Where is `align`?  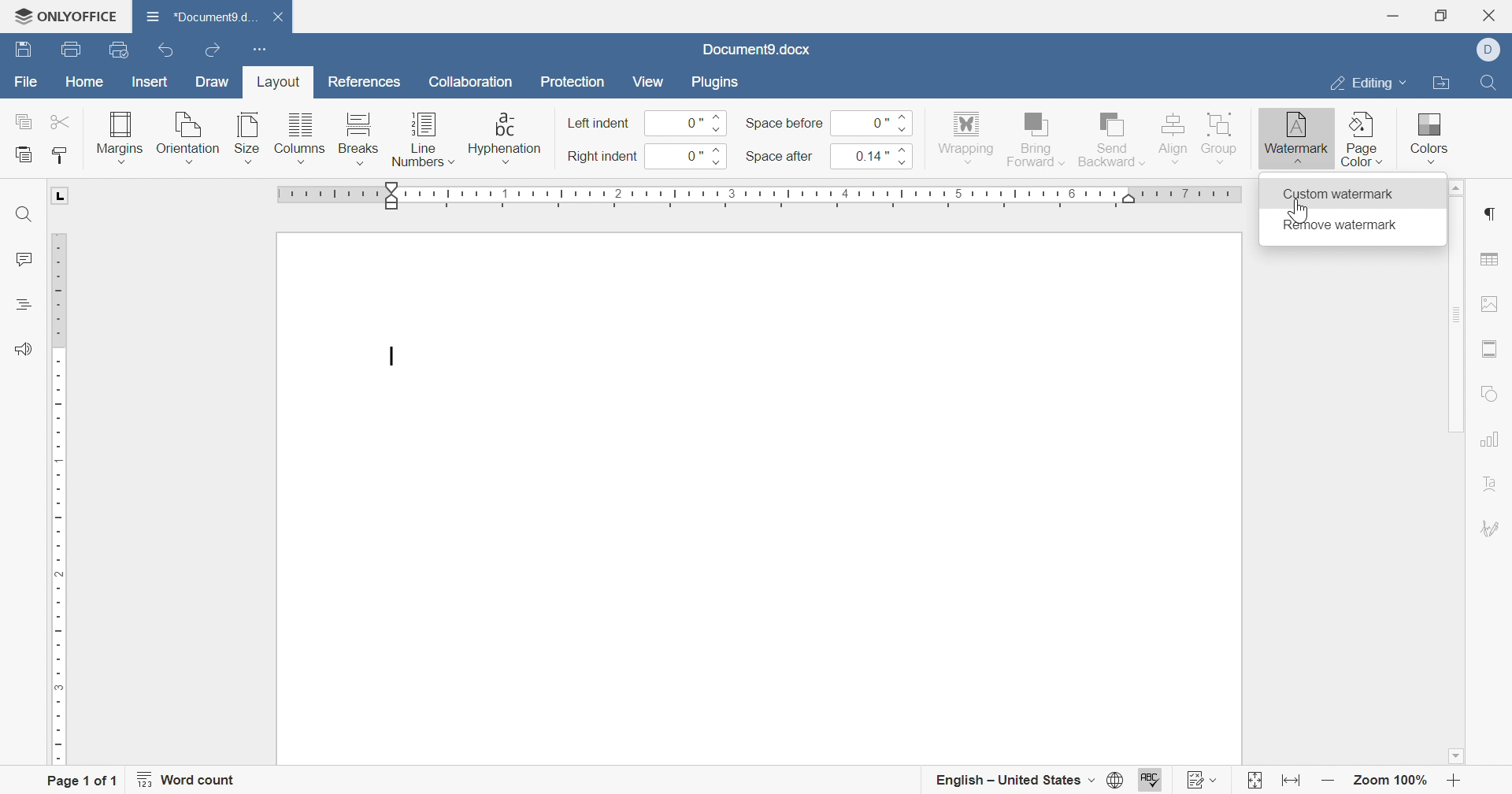 align is located at coordinates (1172, 136).